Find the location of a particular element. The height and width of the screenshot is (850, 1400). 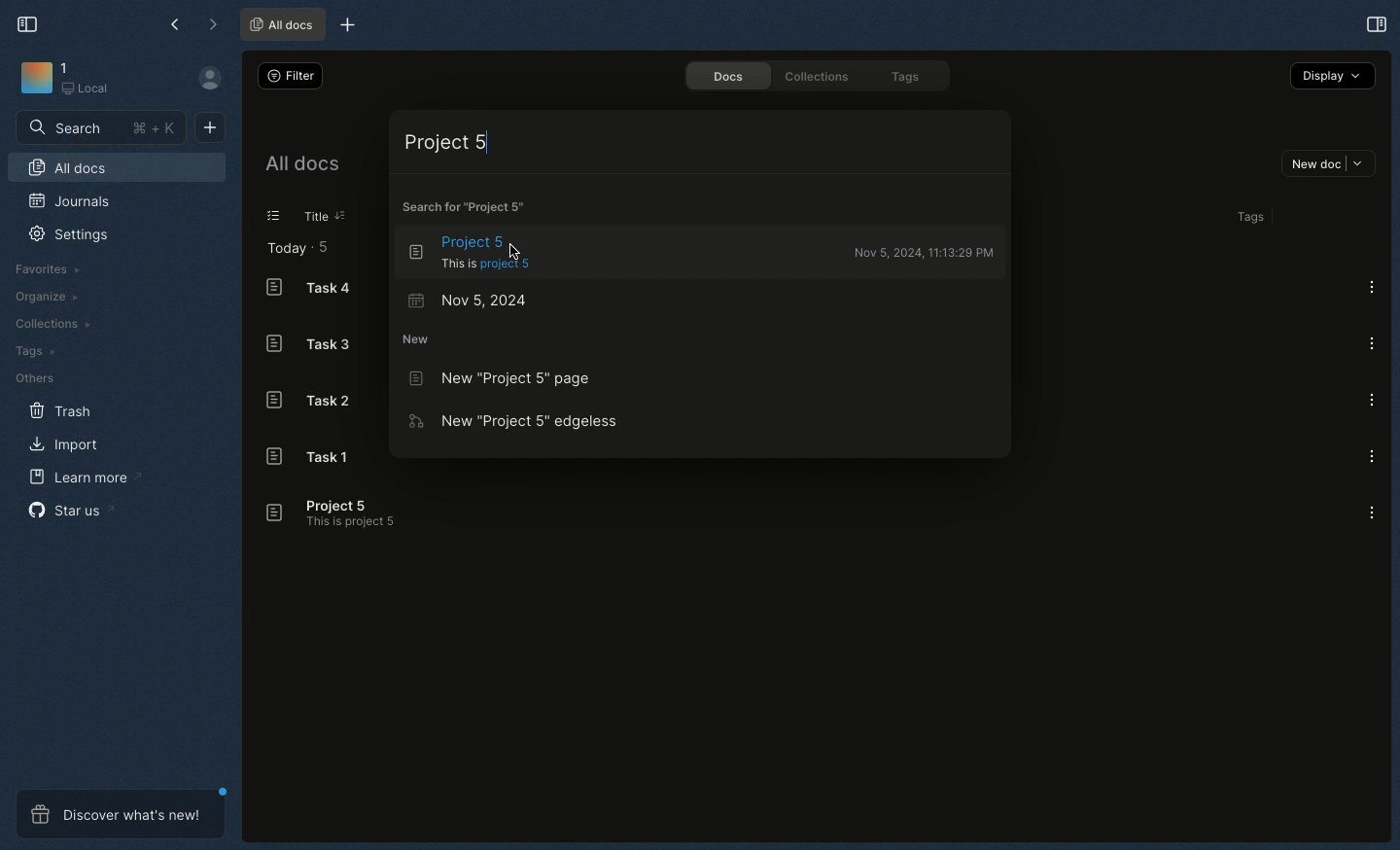

New is located at coordinates (420, 339).